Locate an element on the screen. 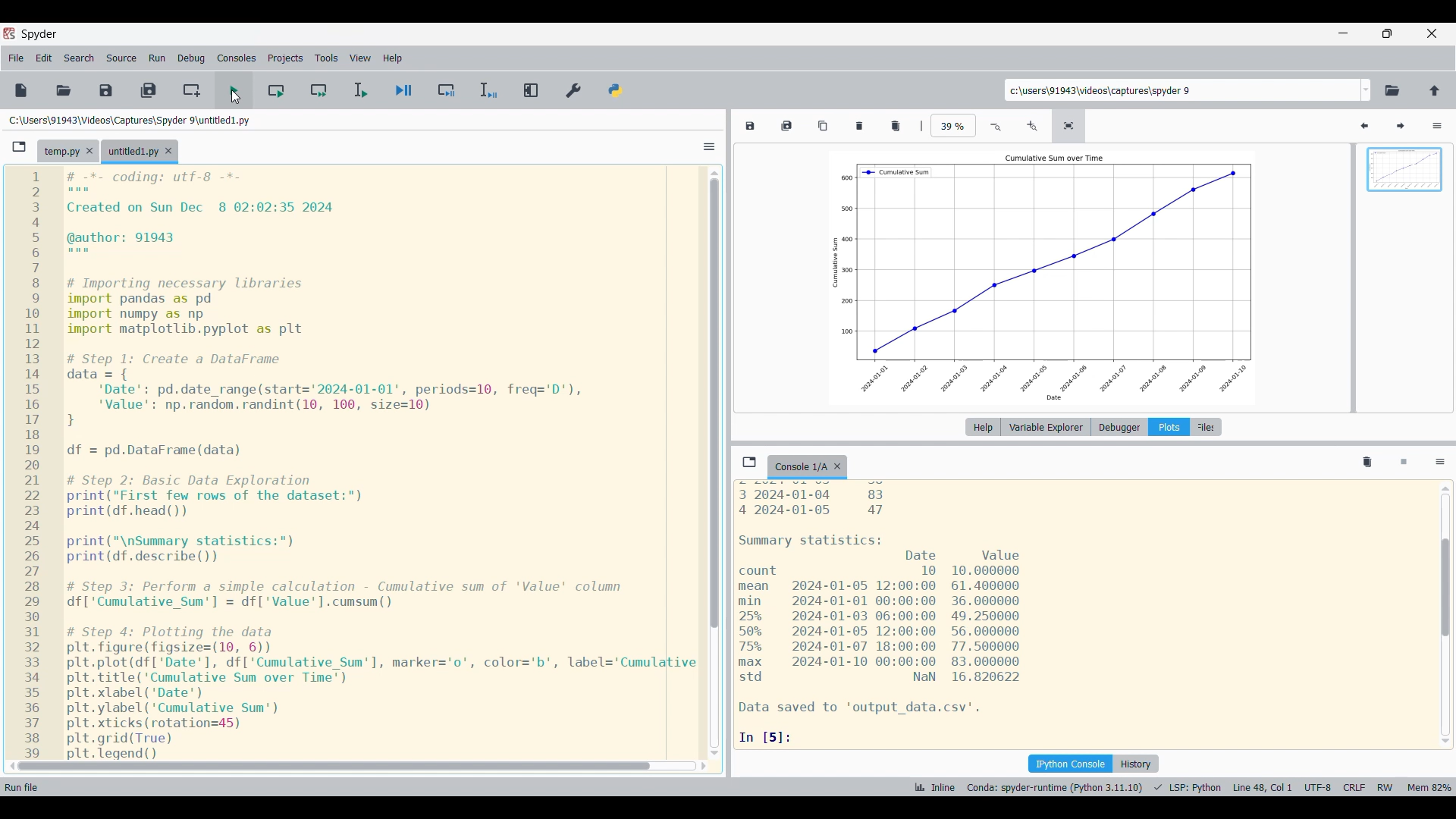  Save all is located at coordinates (149, 91).